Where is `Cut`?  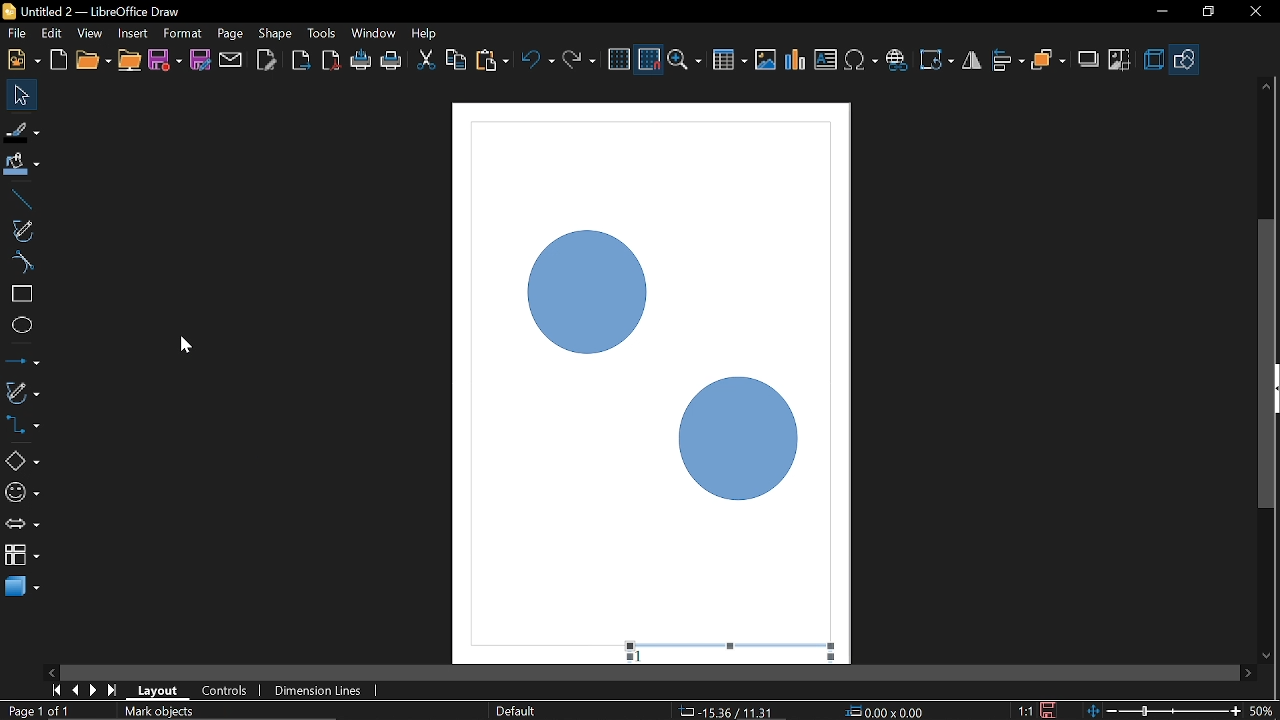 Cut is located at coordinates (426, 62).